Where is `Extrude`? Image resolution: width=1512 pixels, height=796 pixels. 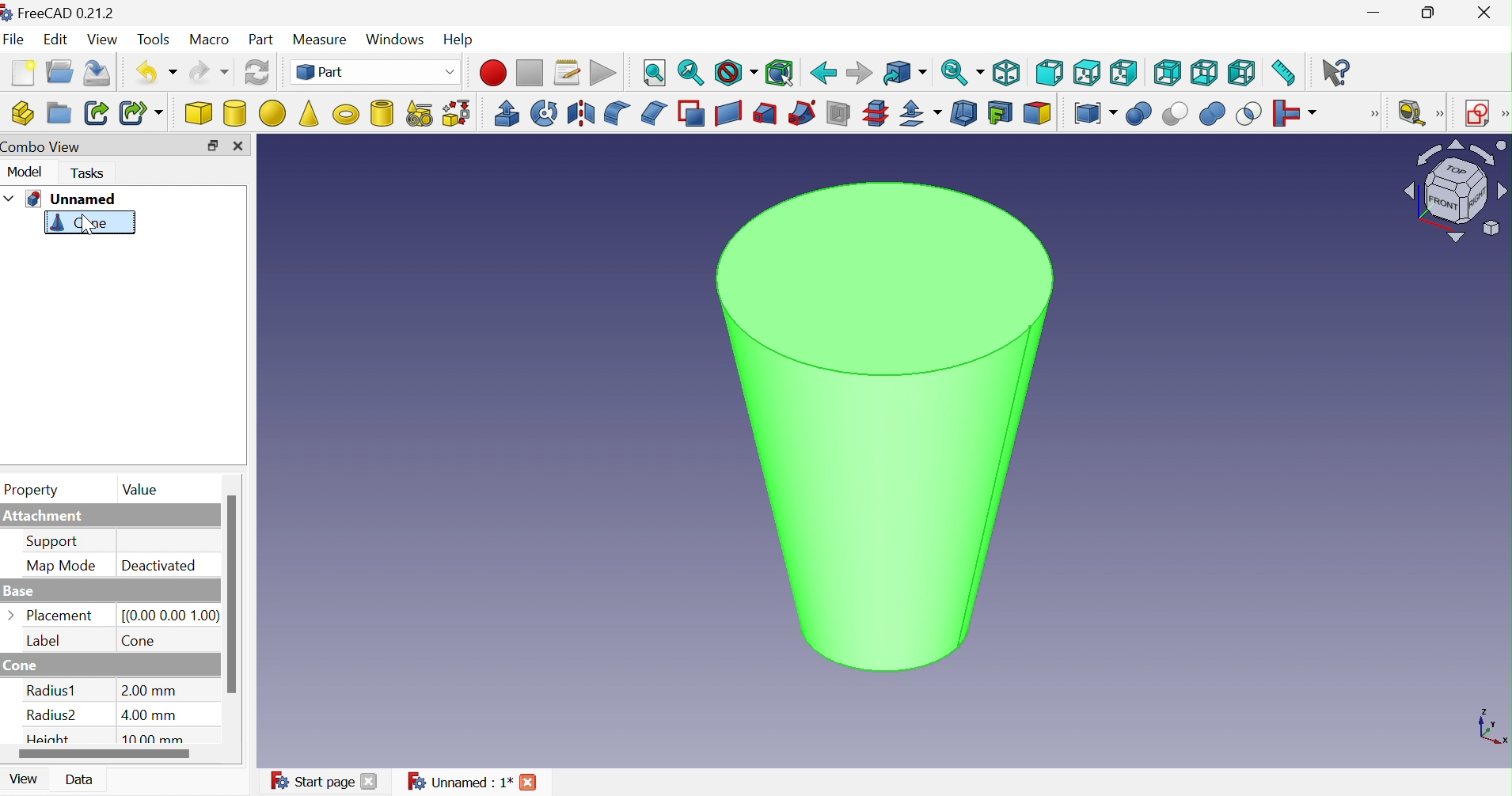
Extrude is located at coordinates (507, 112).